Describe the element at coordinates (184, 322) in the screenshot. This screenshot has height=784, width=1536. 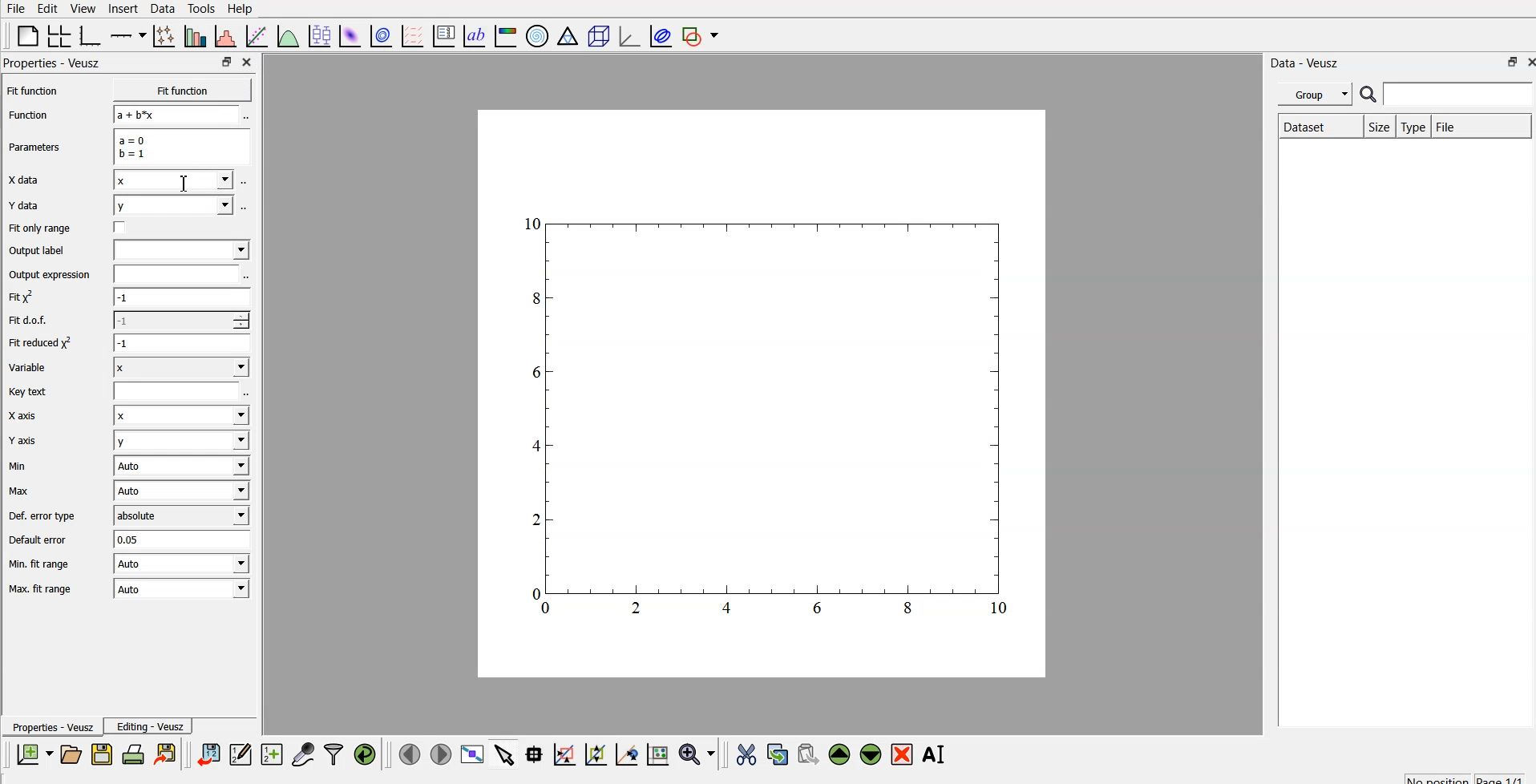
I see `1` at that location.